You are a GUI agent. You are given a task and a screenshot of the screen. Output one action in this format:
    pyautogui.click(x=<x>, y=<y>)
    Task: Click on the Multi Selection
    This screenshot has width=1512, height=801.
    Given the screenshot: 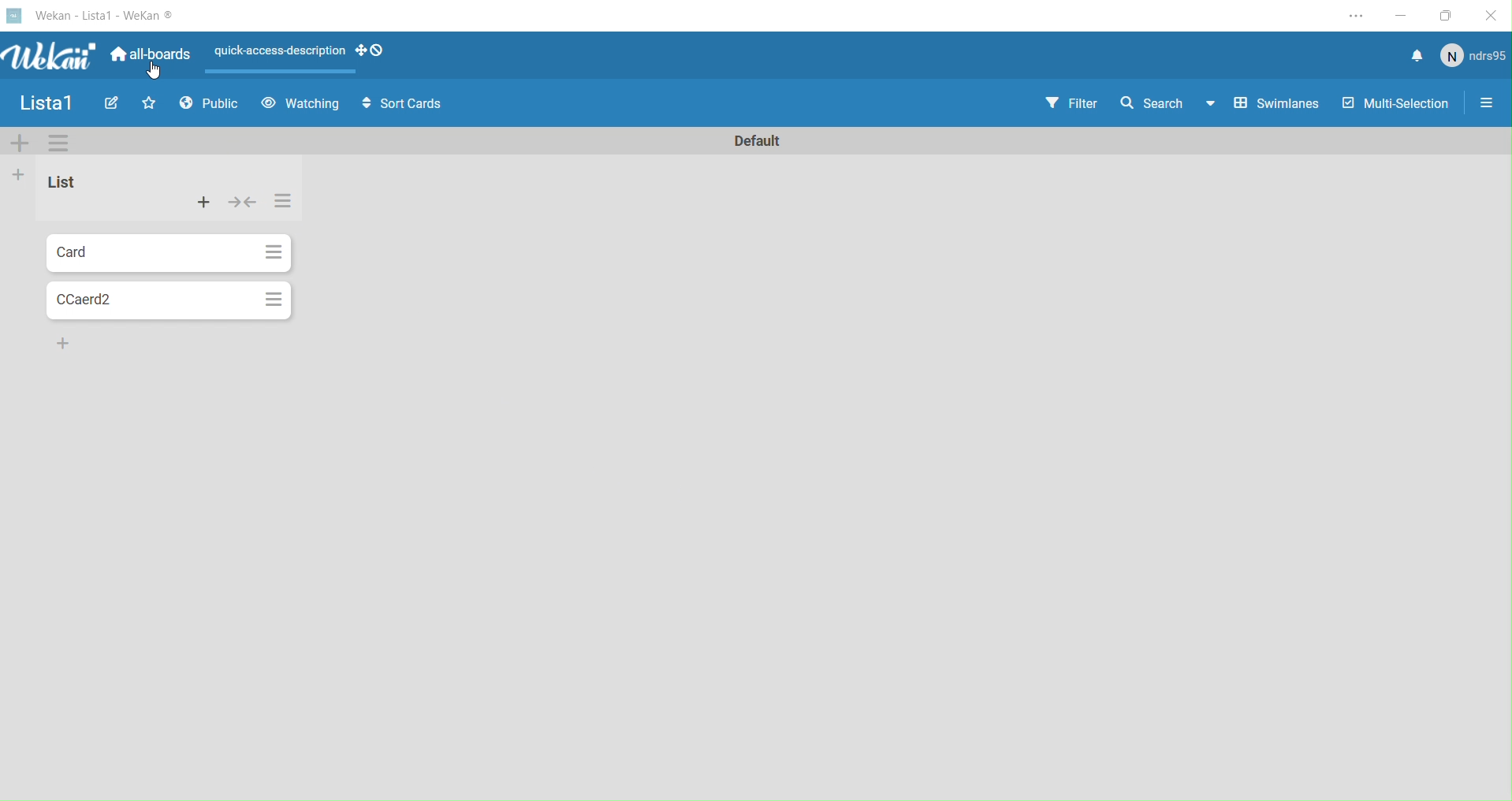 What is the action you would take?
    pyautogui.click(x=1399, y=104)
    